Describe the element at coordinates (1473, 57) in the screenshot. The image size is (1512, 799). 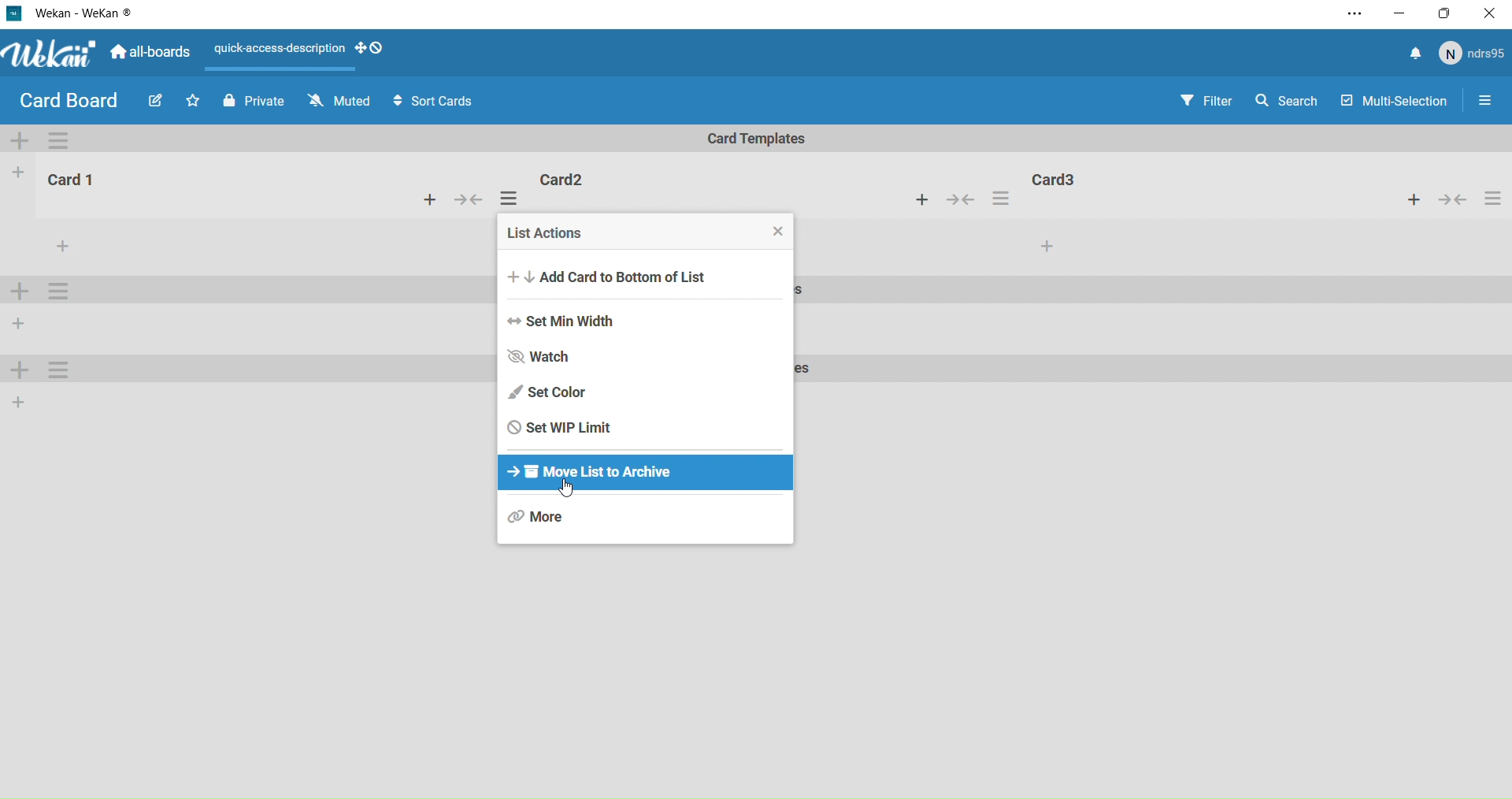
I see `user` at that location.